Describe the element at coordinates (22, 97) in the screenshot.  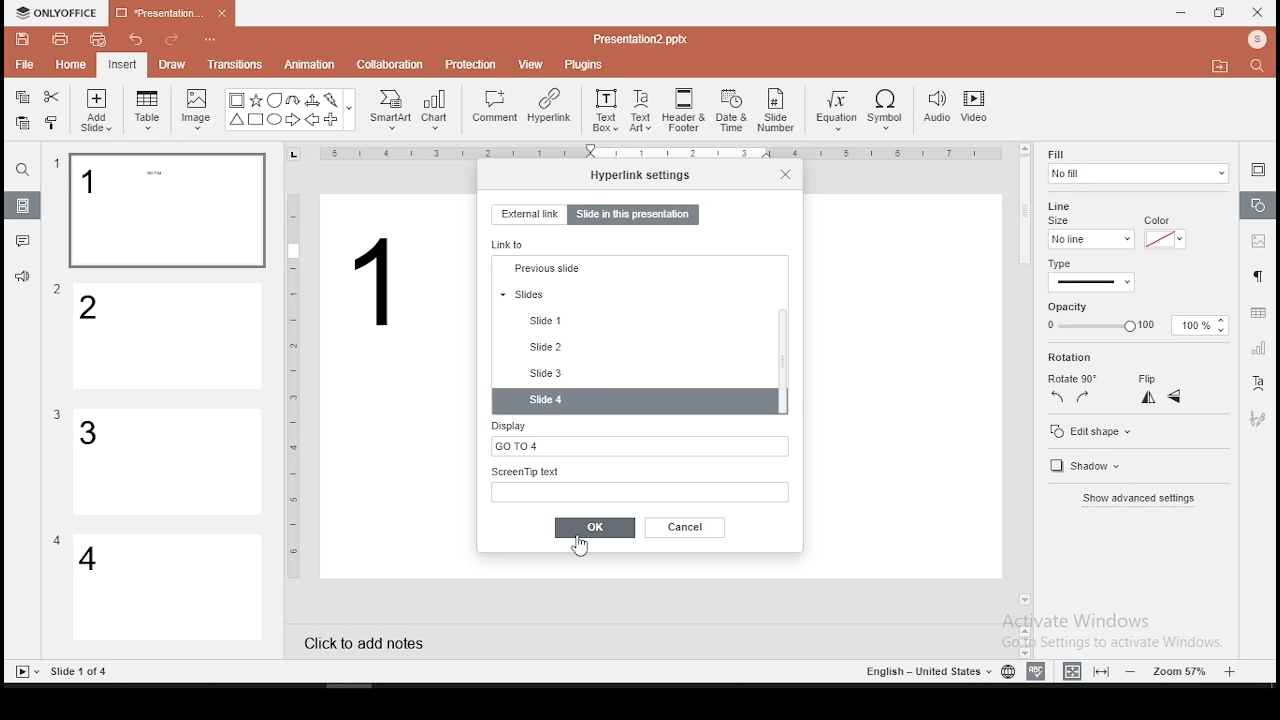
I see `copy` at that location.